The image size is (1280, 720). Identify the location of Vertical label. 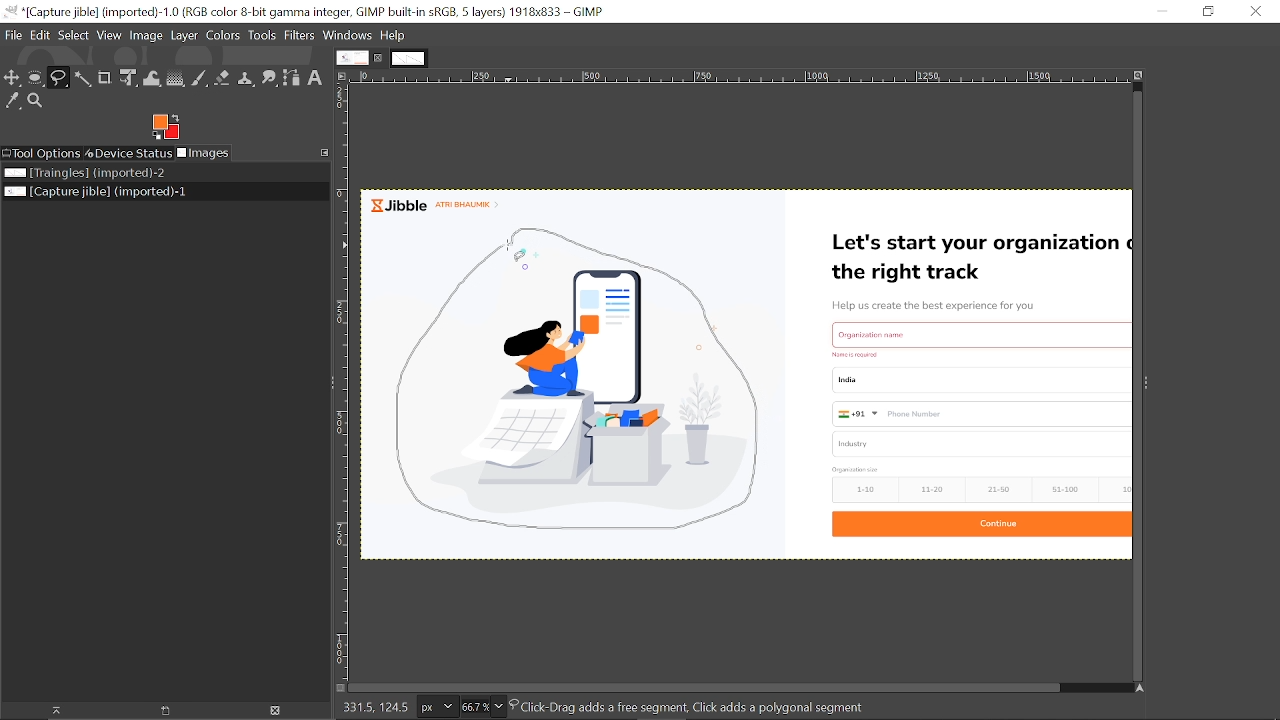
(344, 381).